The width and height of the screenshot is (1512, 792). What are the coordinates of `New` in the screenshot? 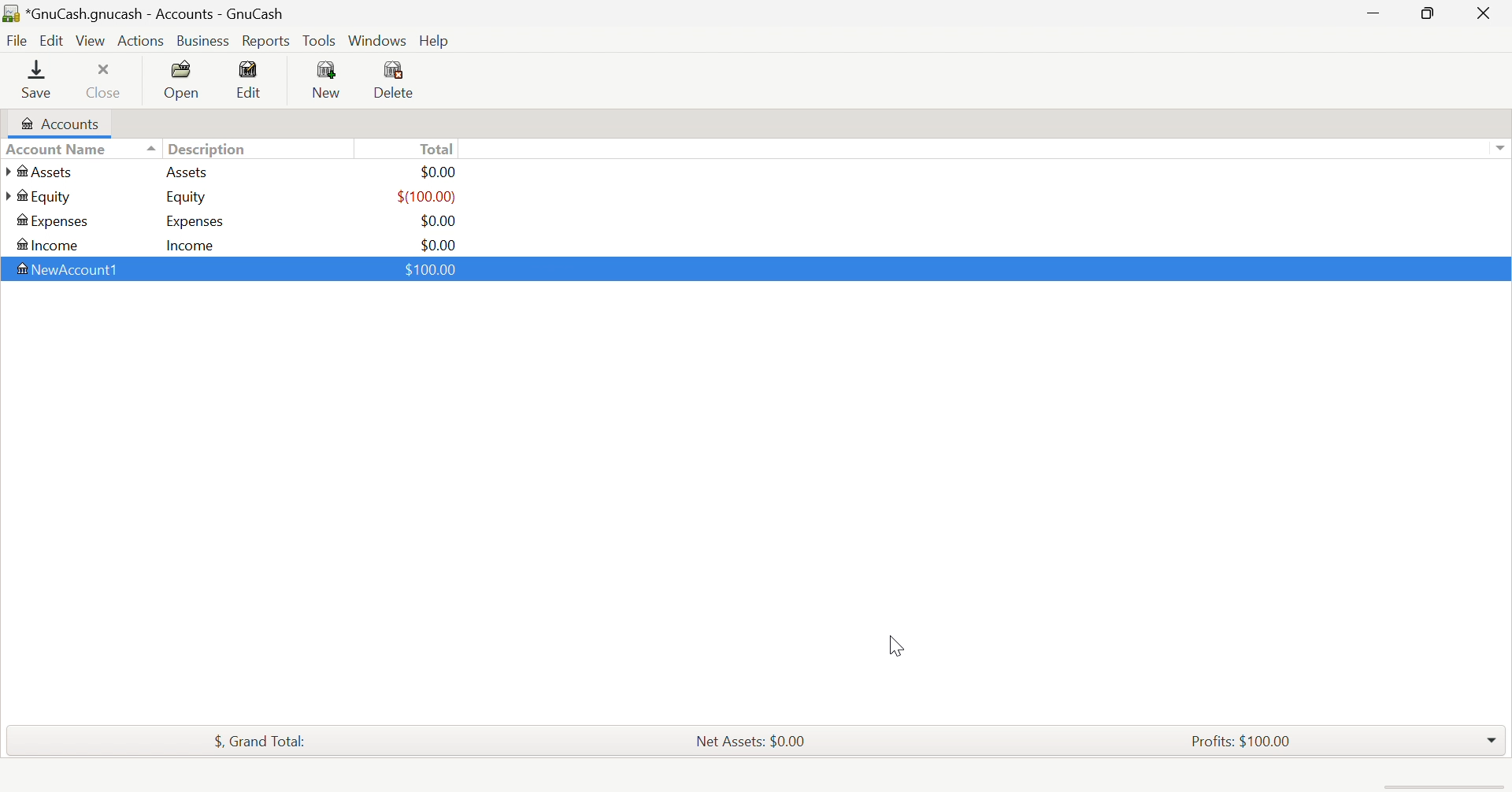 It's located at (328, 80).